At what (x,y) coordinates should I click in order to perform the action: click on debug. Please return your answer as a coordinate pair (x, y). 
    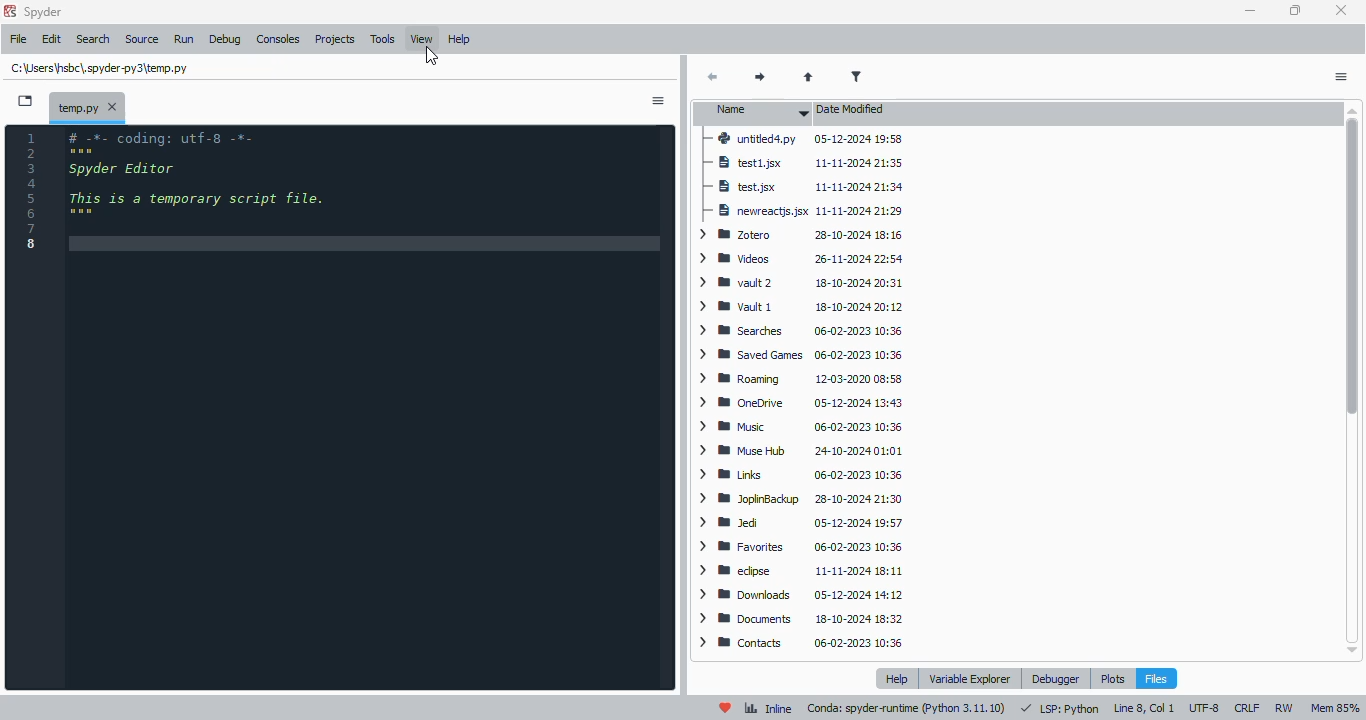
    Looking at the image, I should click on (226, 40).